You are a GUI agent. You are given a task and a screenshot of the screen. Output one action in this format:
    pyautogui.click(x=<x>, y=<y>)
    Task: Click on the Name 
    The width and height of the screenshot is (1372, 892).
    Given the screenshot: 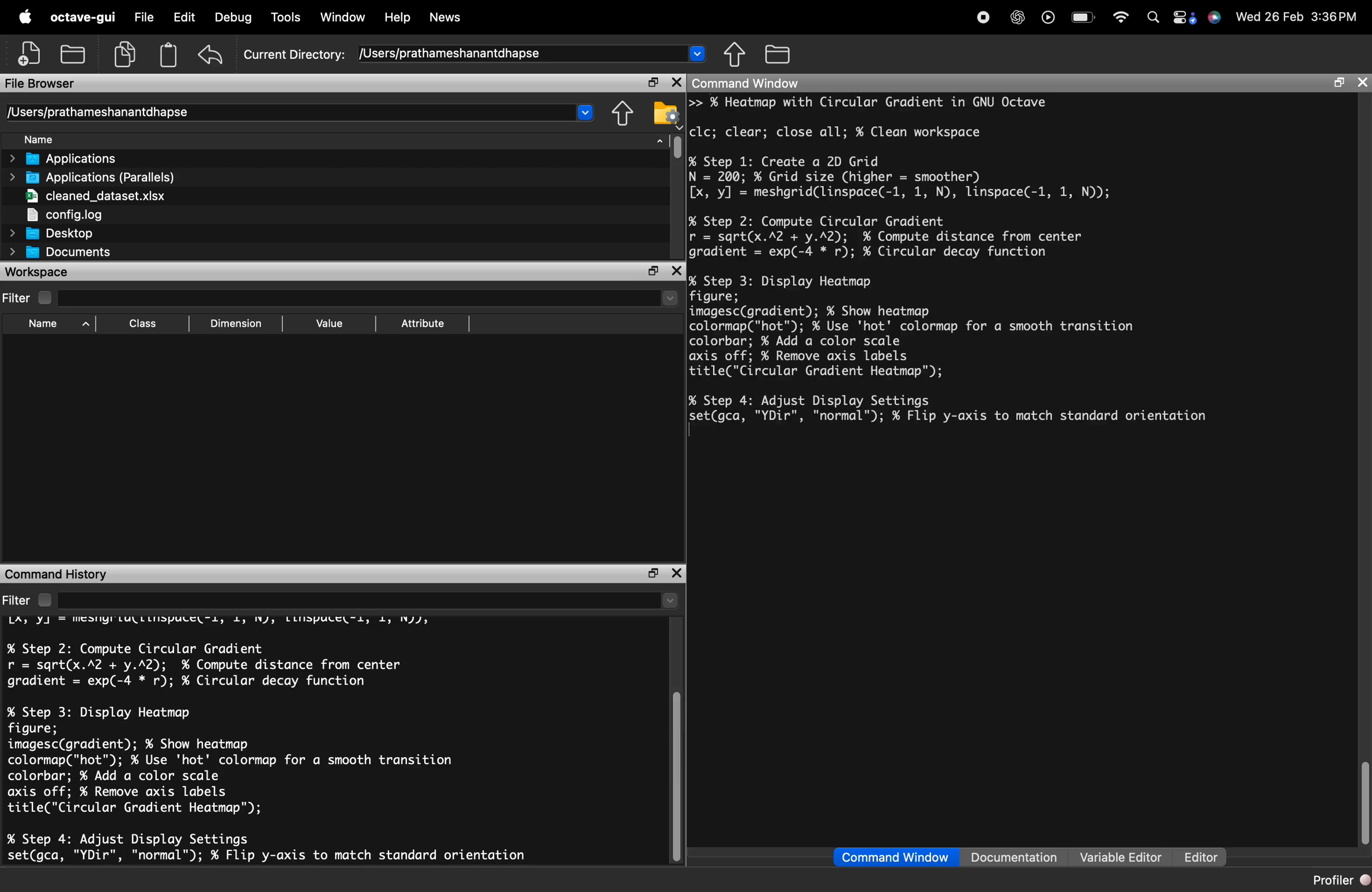 What is the action you would take?
    pyautogui.click(x=55, y=326)
    